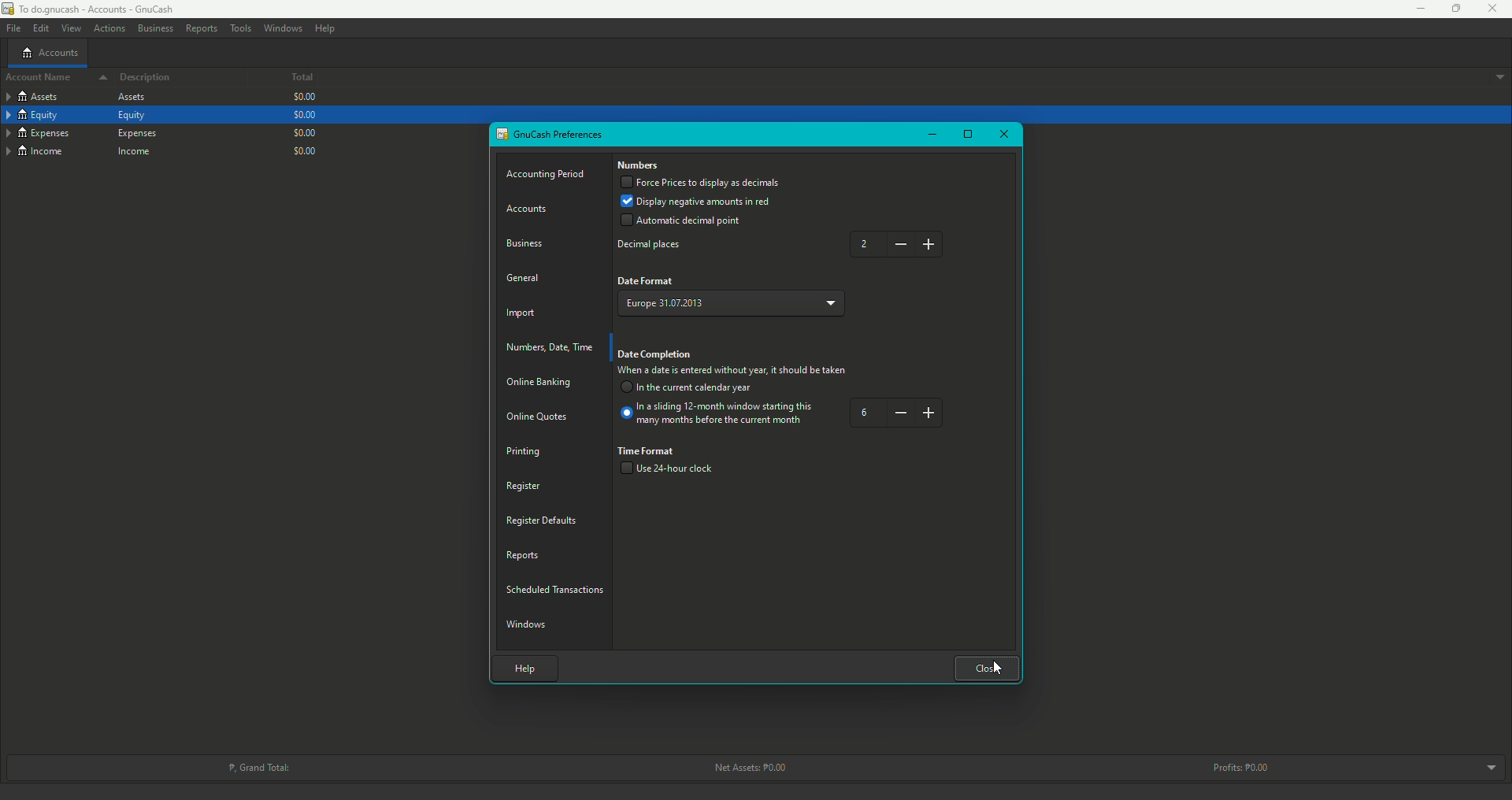 Image resolution: width=1512 pixels, height=800 pixels. What do you see at coordinates (543, 520) in the screenshot?
I see `Registered Defaults` at bounding box center [543, 520].